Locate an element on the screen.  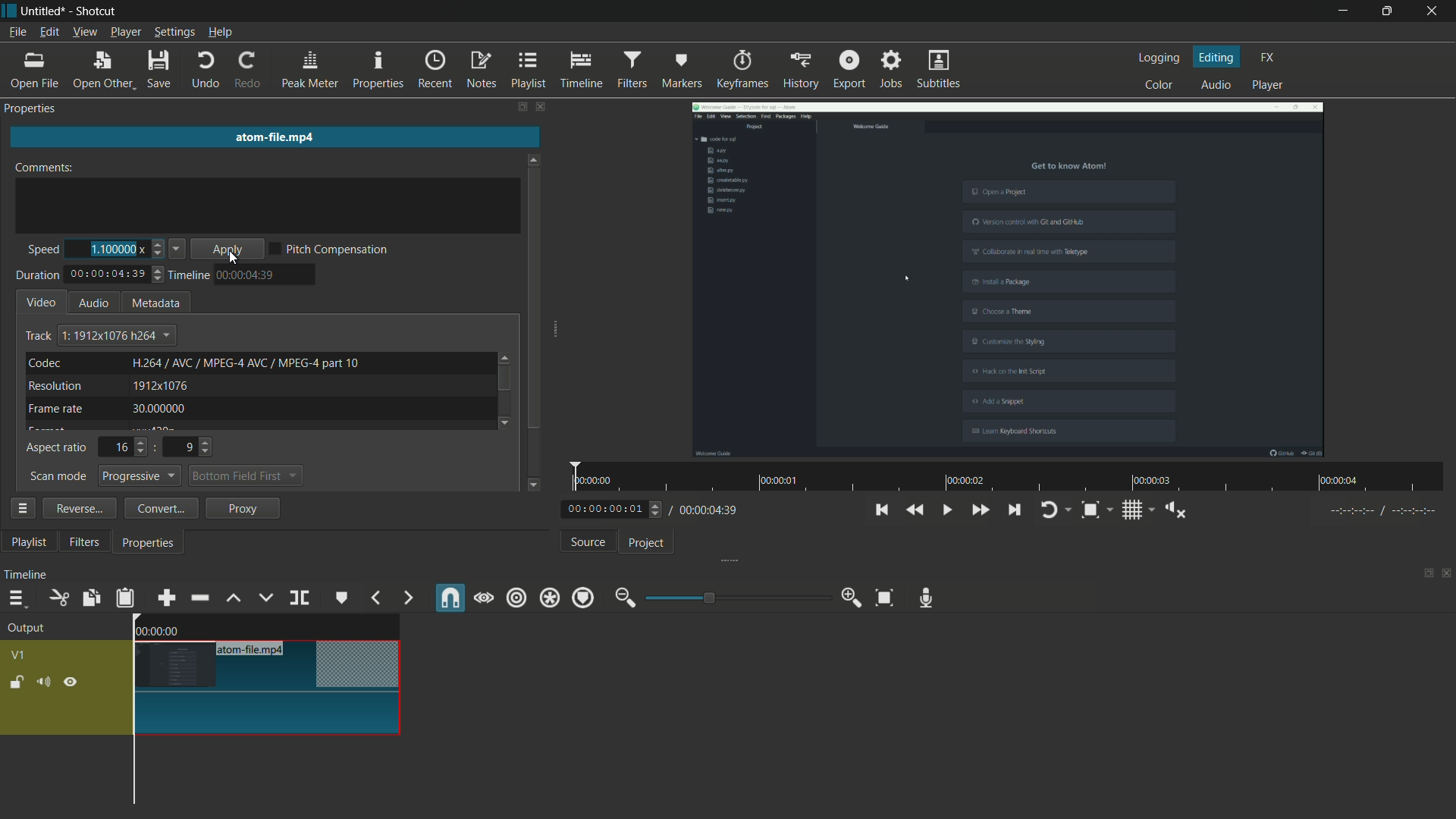
snap is located at coordinates (447, 598).